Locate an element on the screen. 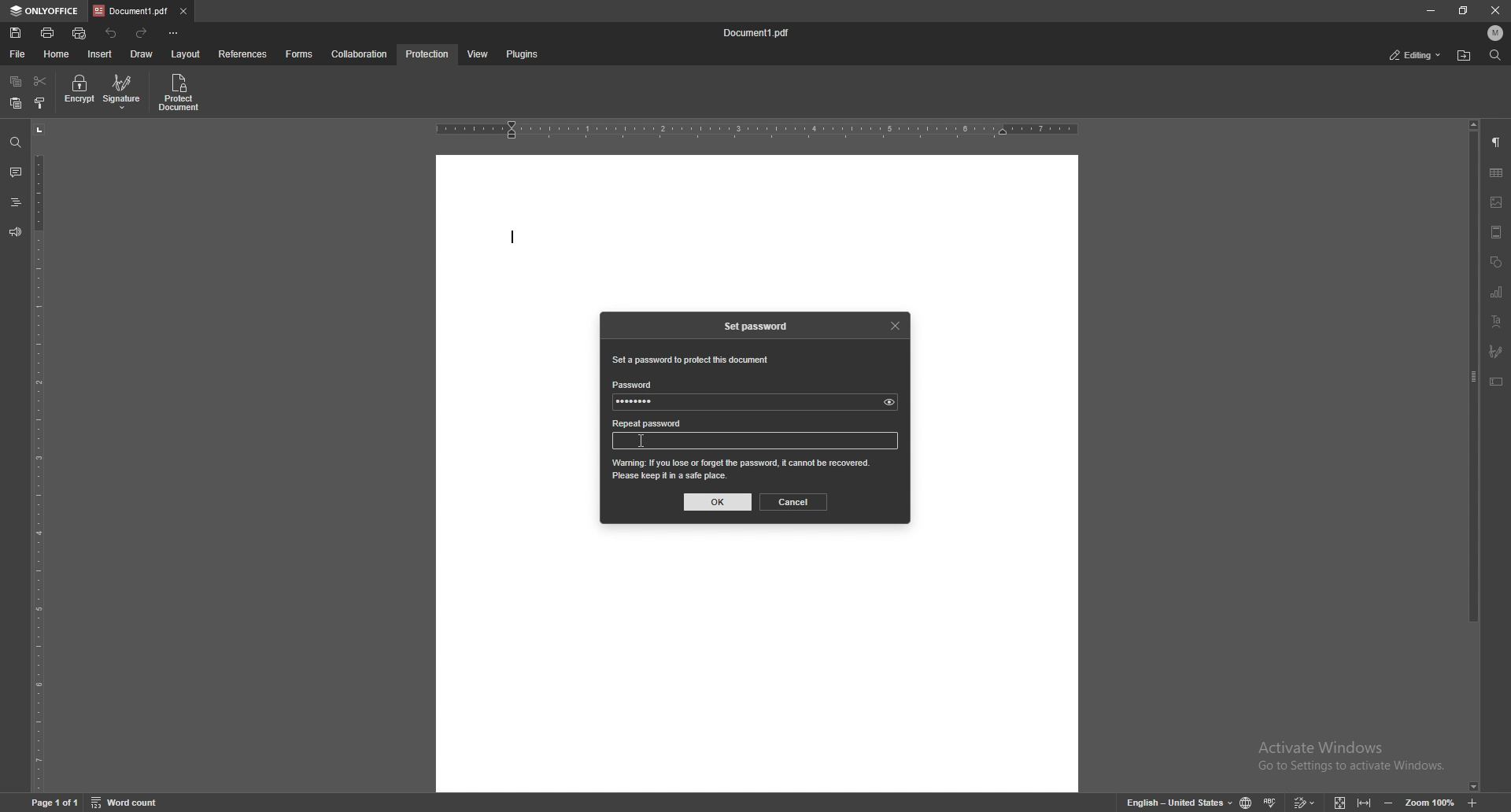 Image resolution: width=1511 pixels, height=812 pixels. paste is located at coordinates (16, 104).